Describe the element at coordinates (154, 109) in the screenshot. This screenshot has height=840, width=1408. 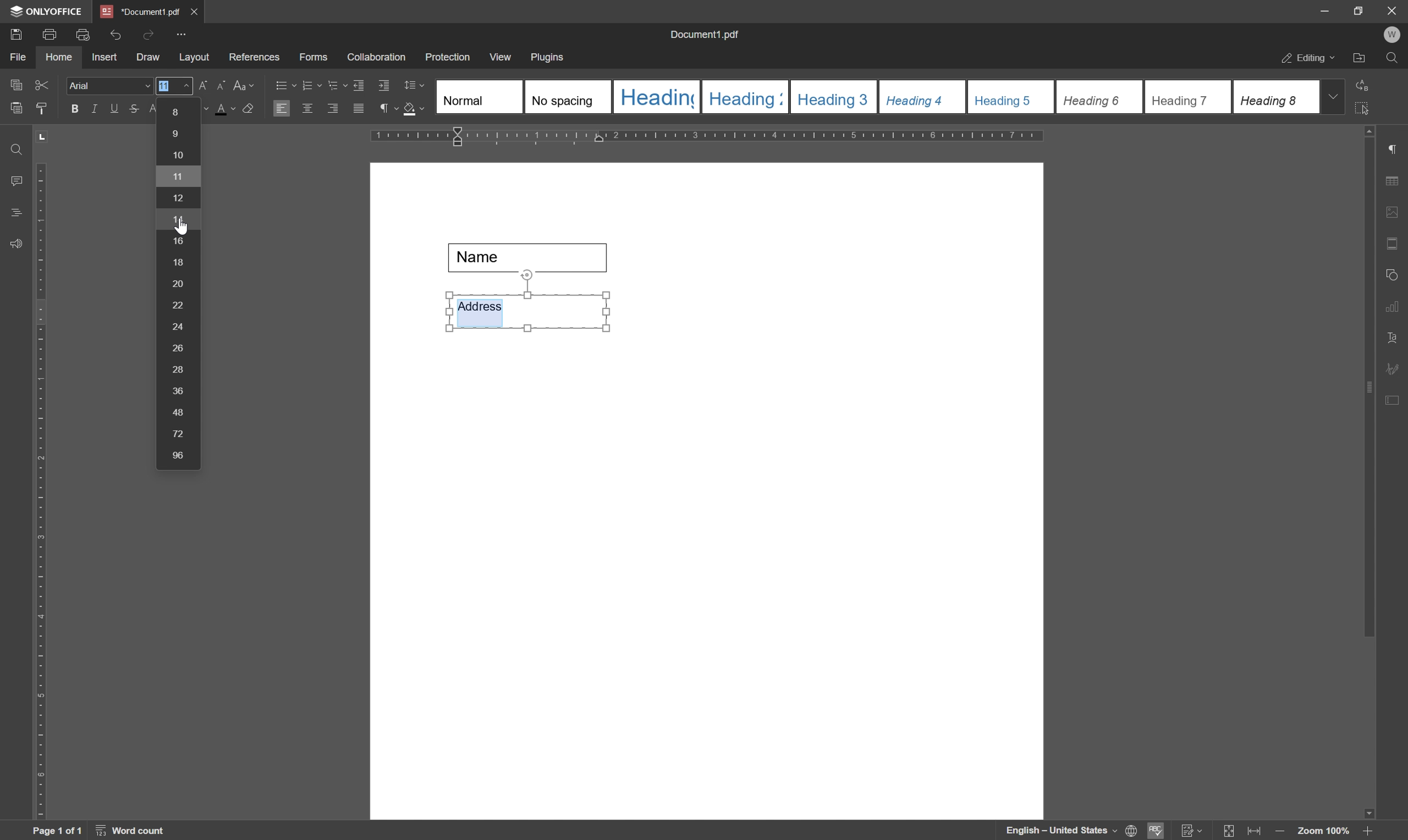
I see `superscript` at that location.